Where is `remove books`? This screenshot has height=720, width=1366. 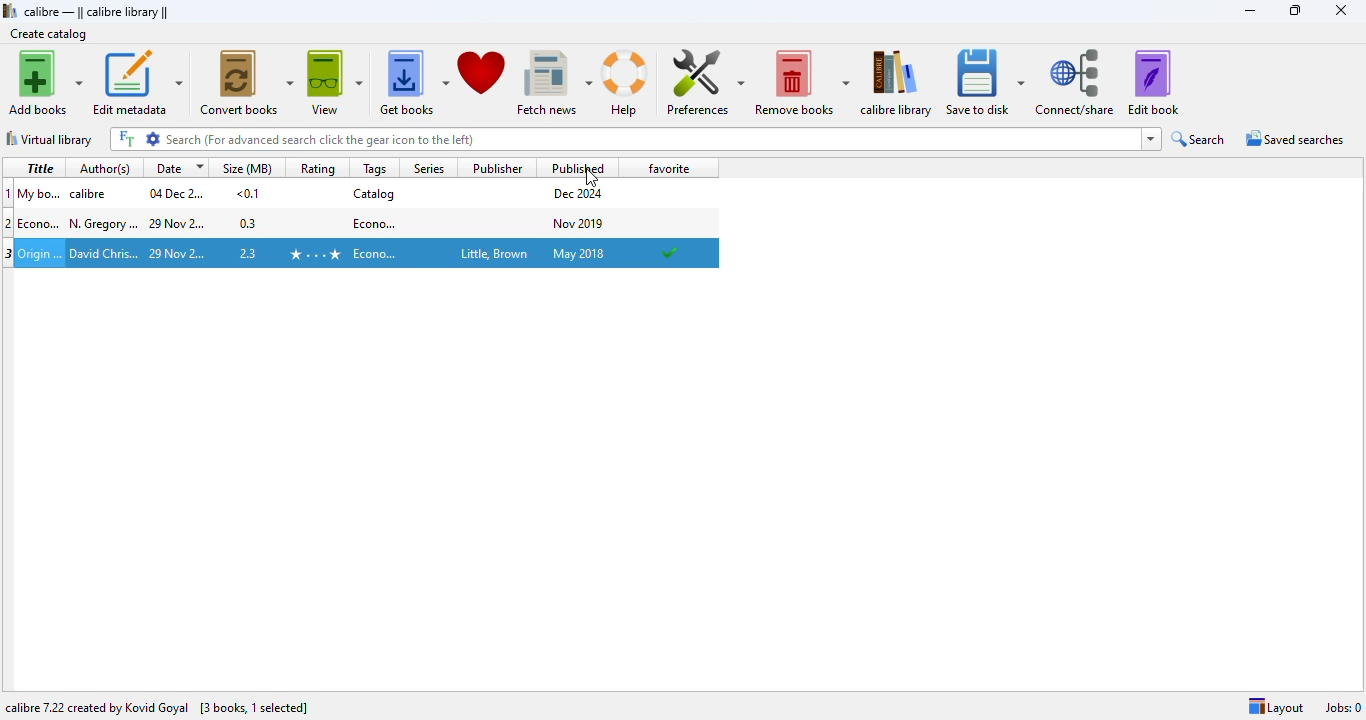 remove books is located at coordinates (801, 83).